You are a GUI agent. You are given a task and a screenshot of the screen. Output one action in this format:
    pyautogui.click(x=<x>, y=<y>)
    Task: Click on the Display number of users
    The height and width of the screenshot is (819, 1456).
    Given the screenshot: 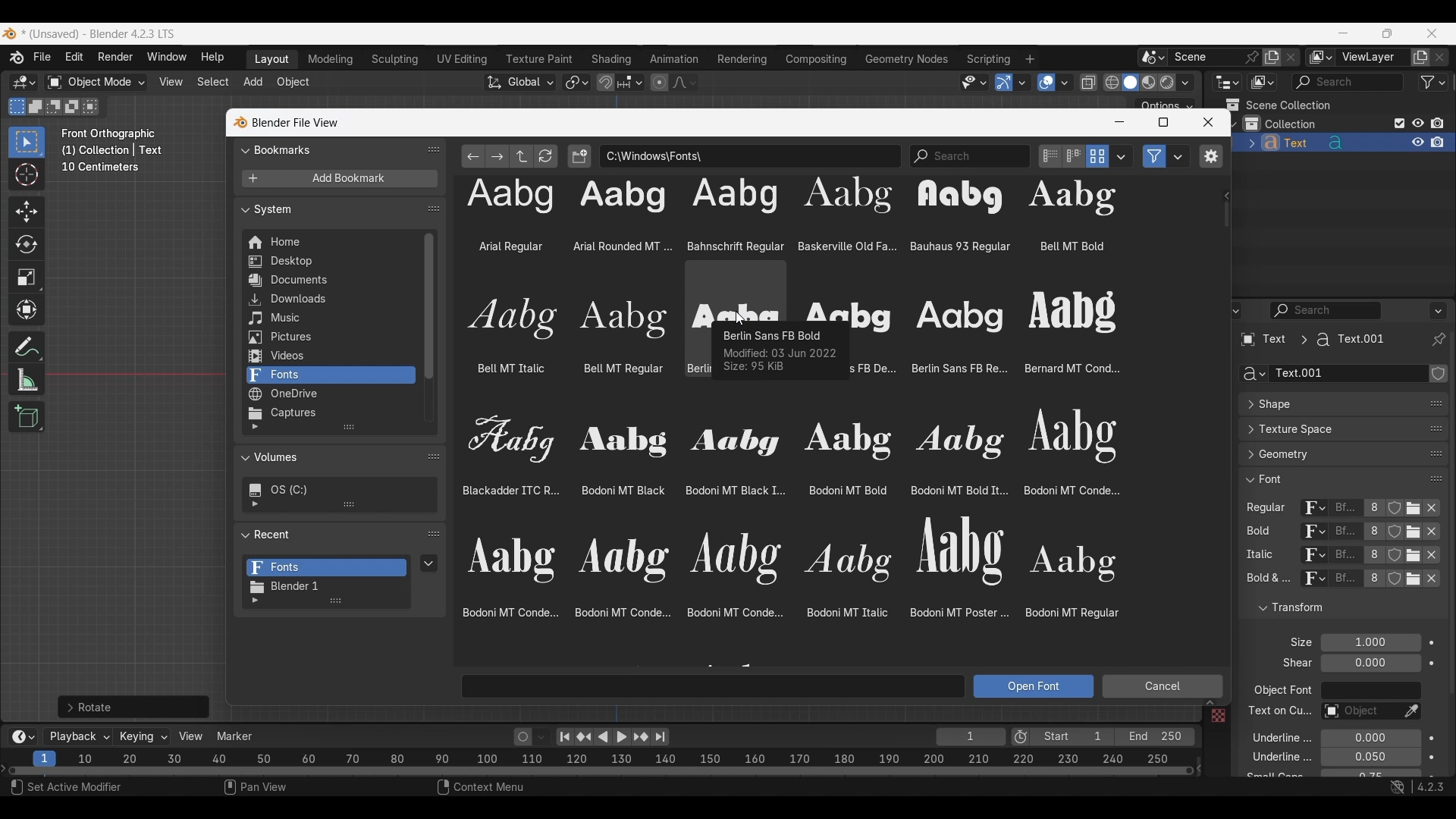 What is the action you would take?
    pyautogui.click(x=1373, y=582)
    